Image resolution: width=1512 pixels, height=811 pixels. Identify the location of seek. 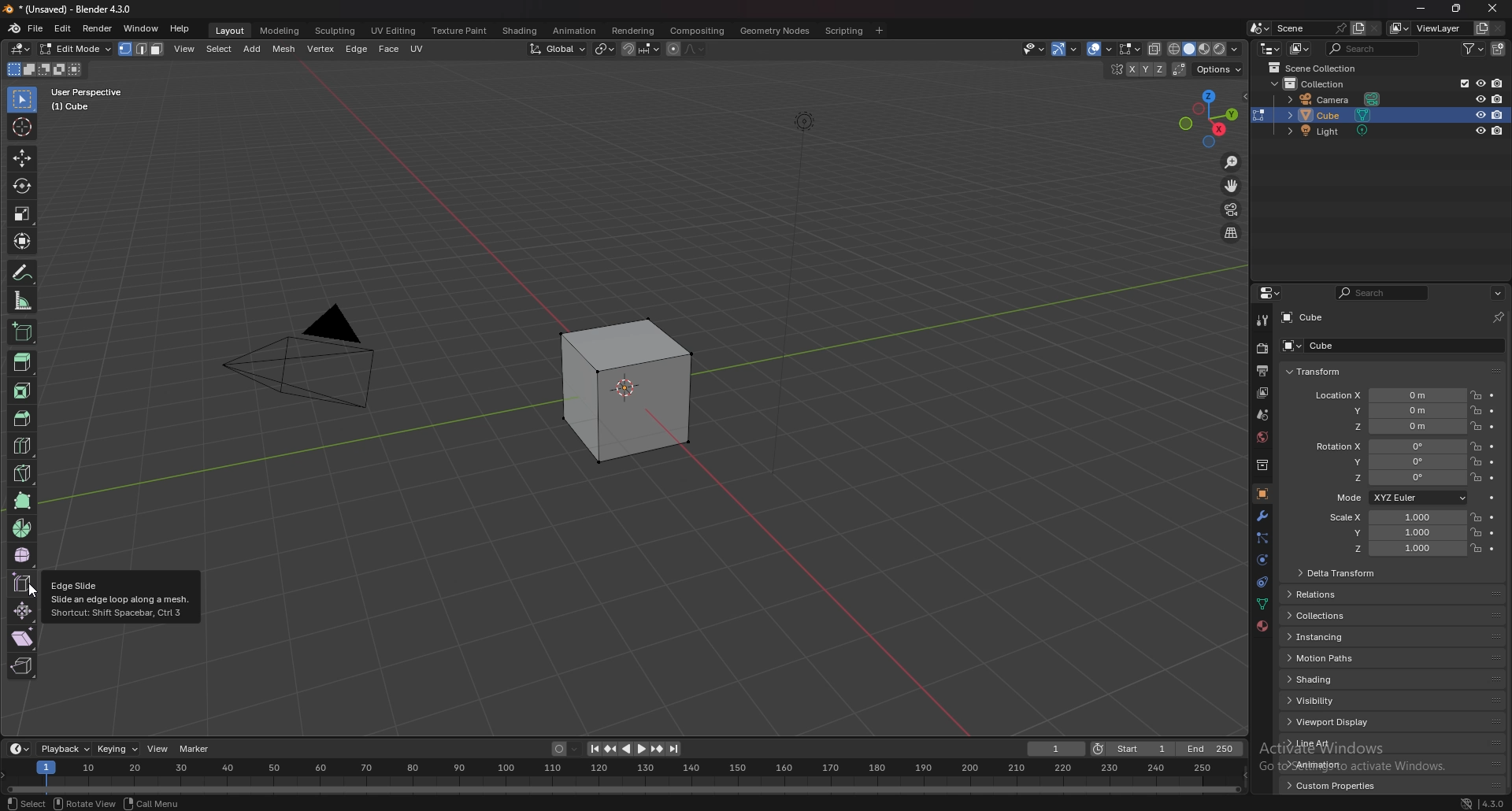
(621, 777).